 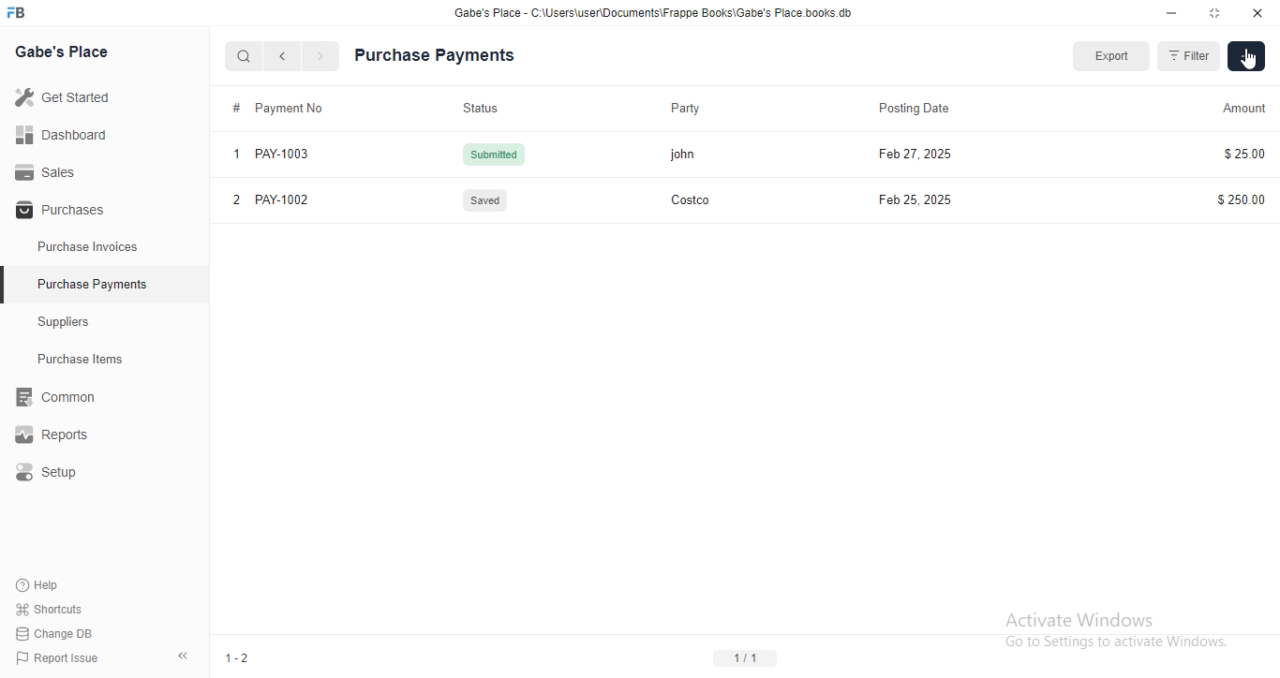 What do you see at coordinates (322, 57) in the screenshot?
I see `navigate forward` at bounding box center [322, 57].